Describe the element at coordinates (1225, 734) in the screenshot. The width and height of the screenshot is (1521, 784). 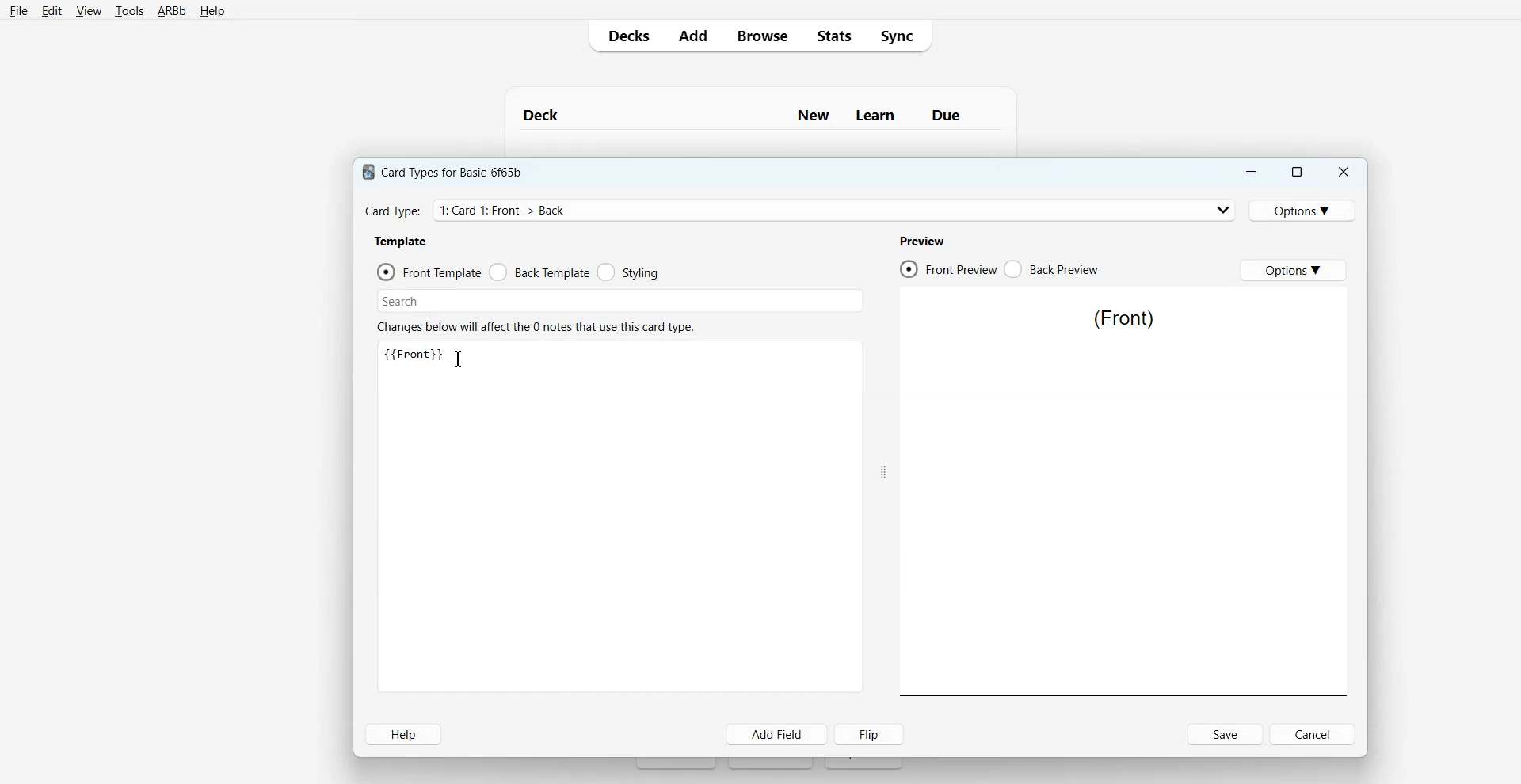
I see `Save` at that location.